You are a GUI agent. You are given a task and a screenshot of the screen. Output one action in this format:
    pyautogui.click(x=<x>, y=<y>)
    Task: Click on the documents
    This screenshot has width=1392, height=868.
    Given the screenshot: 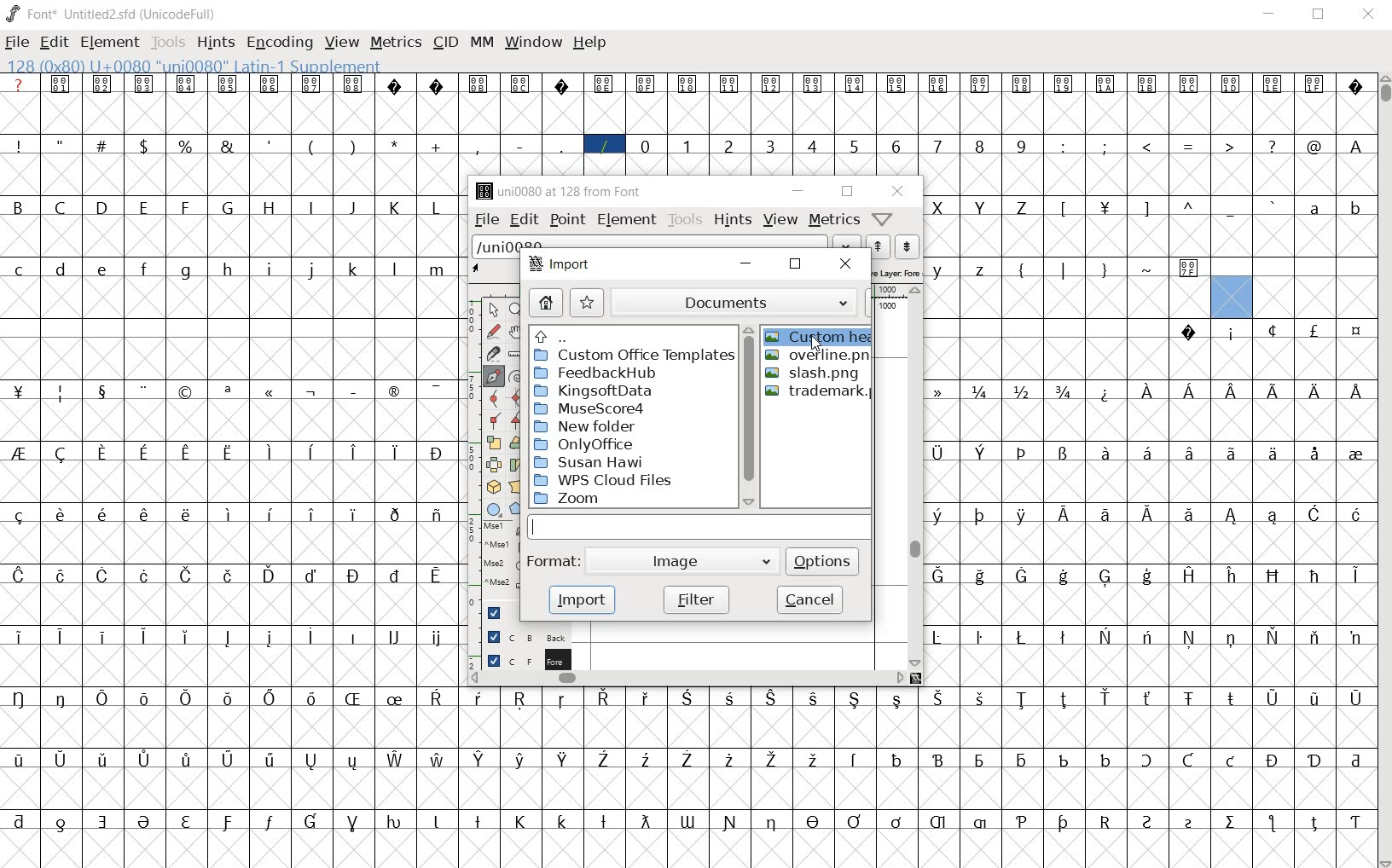 What is the action you would take?
    pyautogui.click(x=742, y=301)
    